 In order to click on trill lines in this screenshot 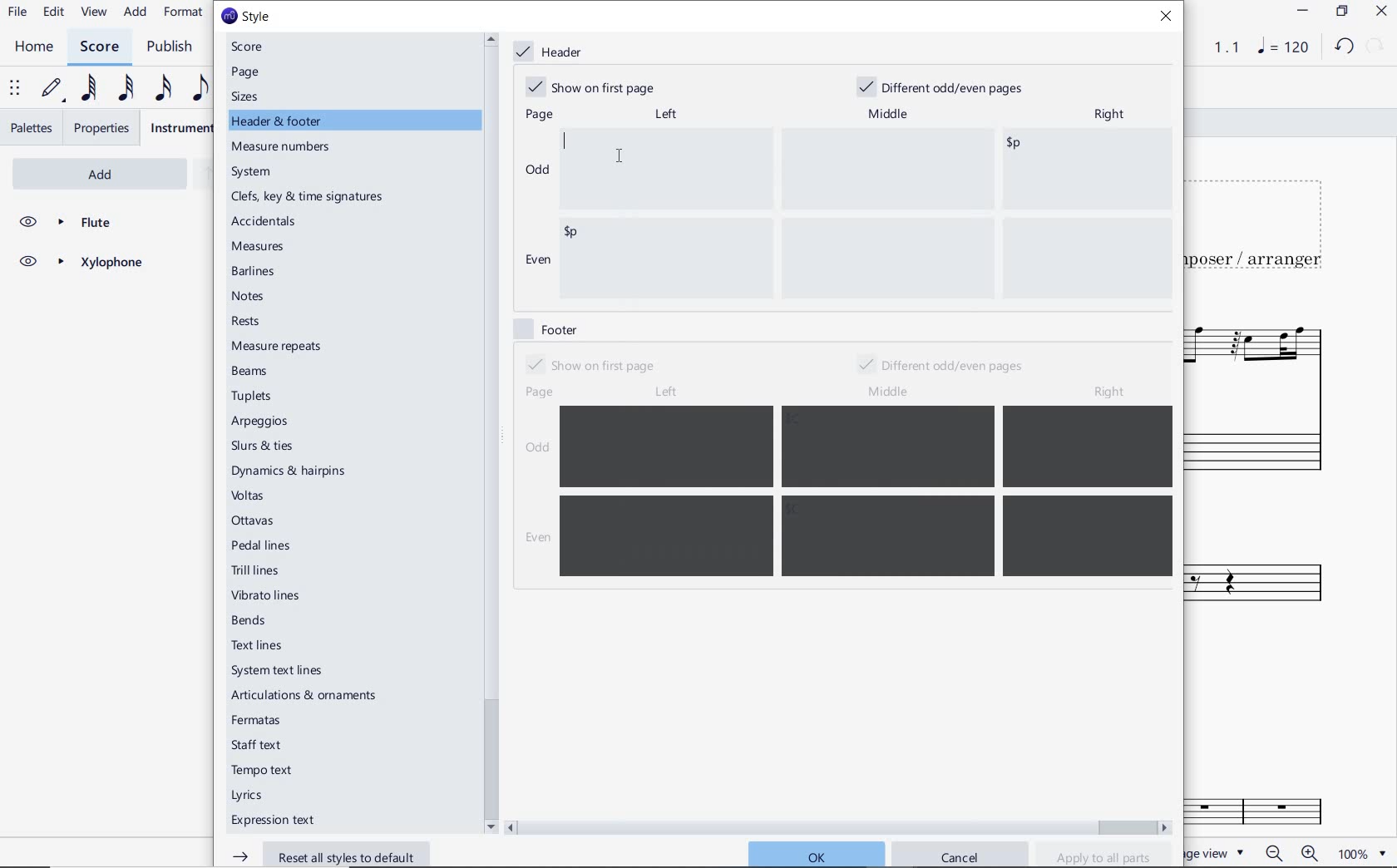, I will do `click(256, 570)`.